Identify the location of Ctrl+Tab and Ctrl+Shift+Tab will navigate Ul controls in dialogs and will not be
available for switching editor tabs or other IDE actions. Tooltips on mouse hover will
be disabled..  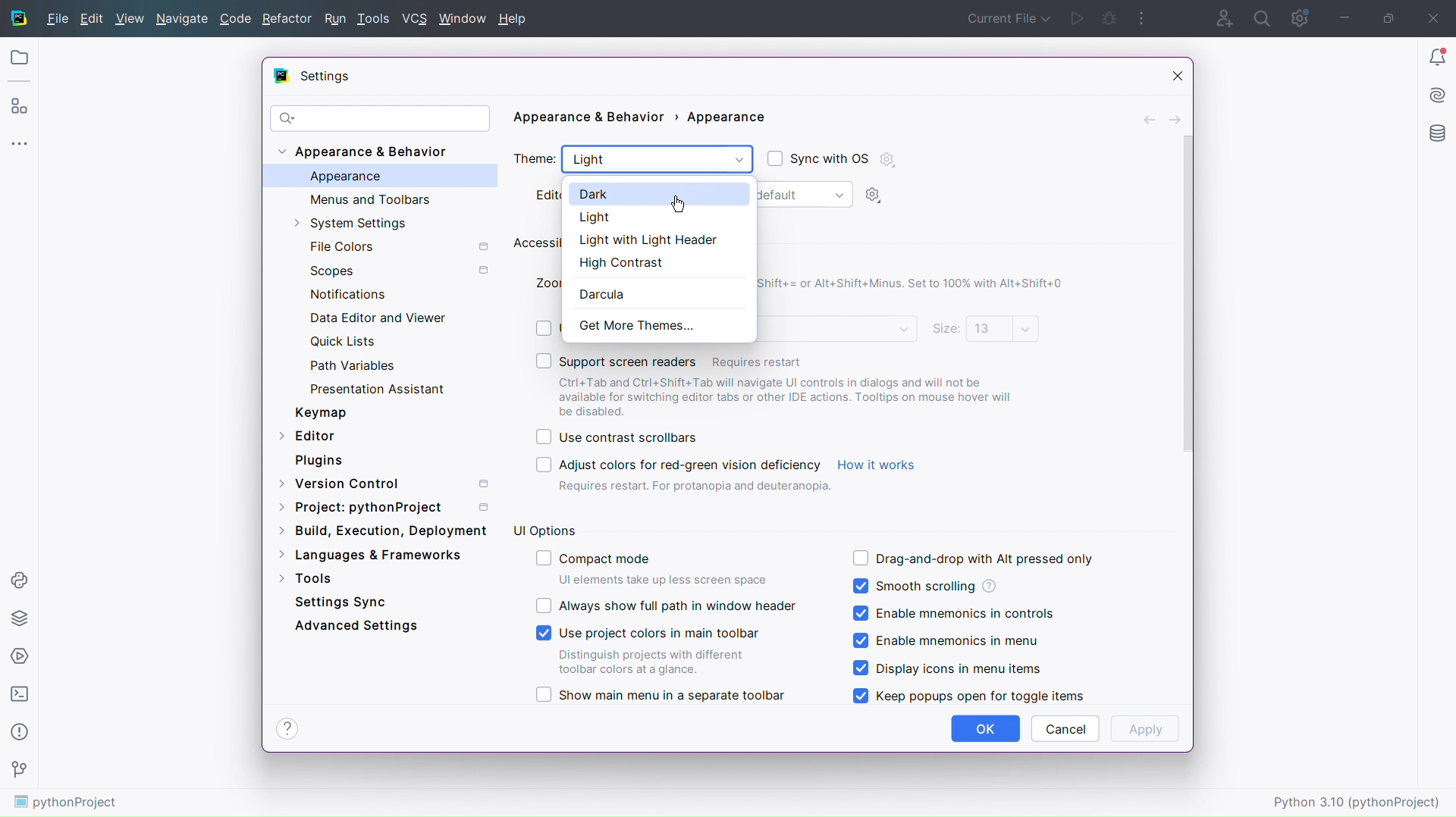
(793, 396).